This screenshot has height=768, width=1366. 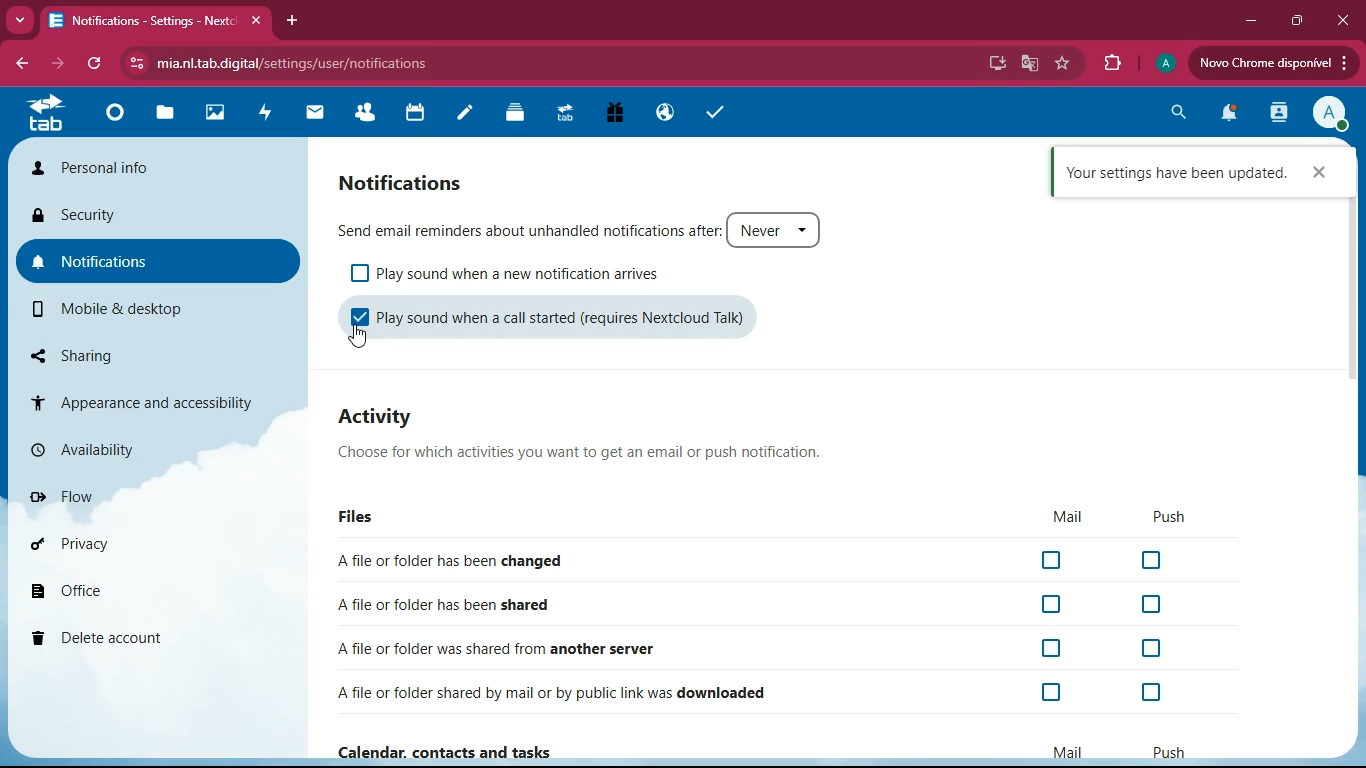 What do you see at coordinates (215, 115) in the screenshot?
I see `images` at bounding box center [215, 115].